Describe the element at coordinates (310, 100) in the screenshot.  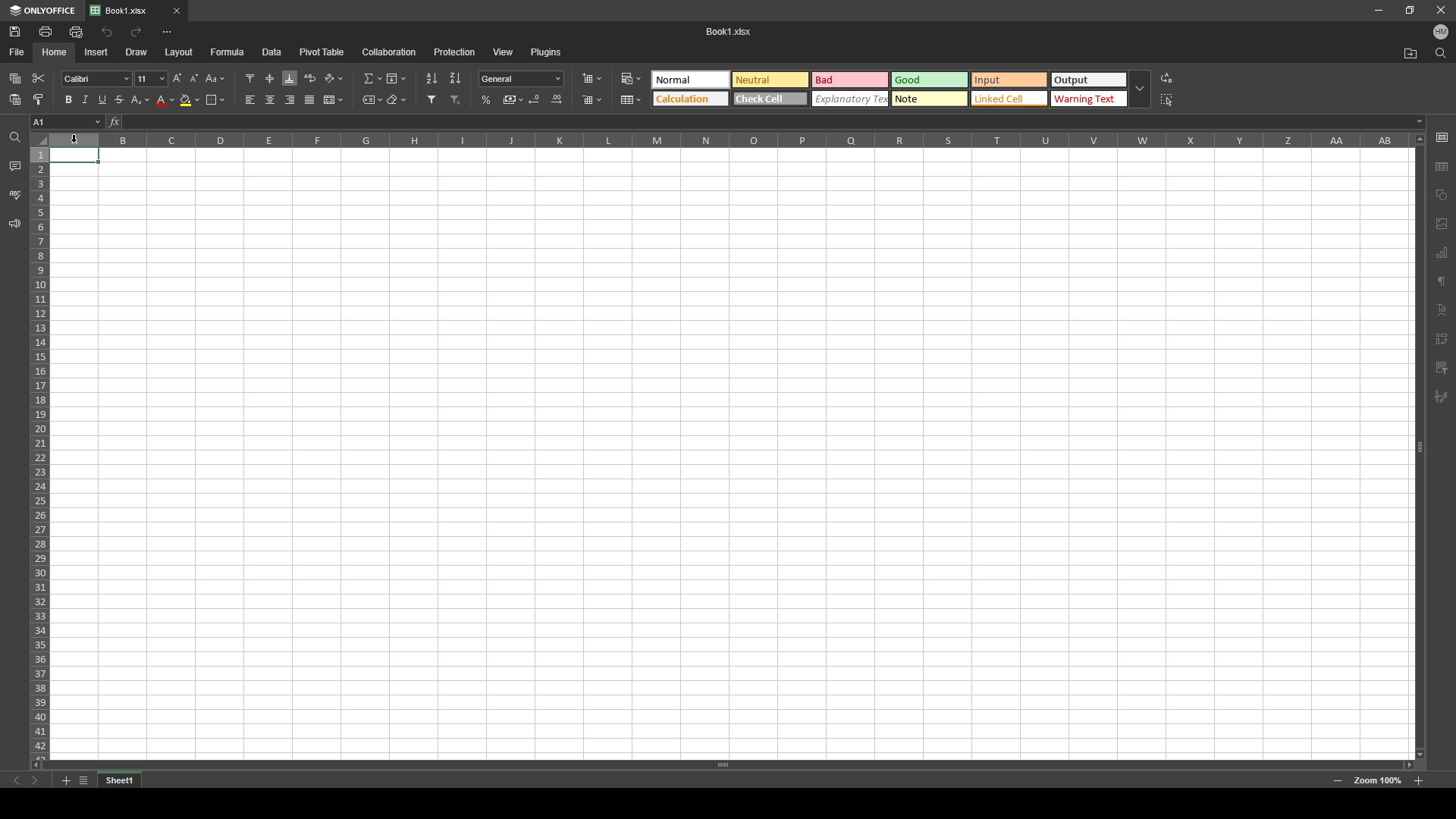
I see `justified` at that location.